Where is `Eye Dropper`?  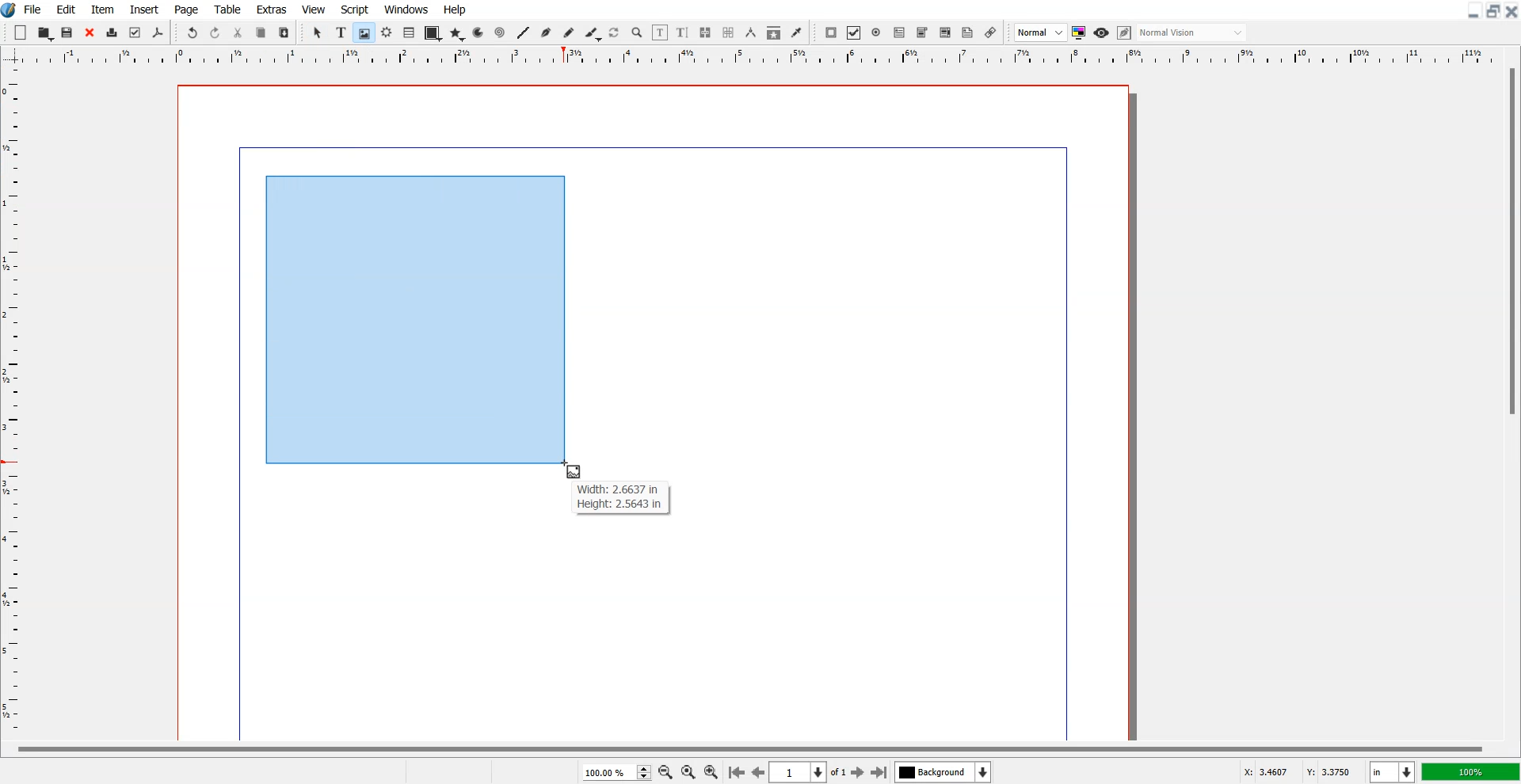
Eye Dropper is located at coordinates (796, 32).